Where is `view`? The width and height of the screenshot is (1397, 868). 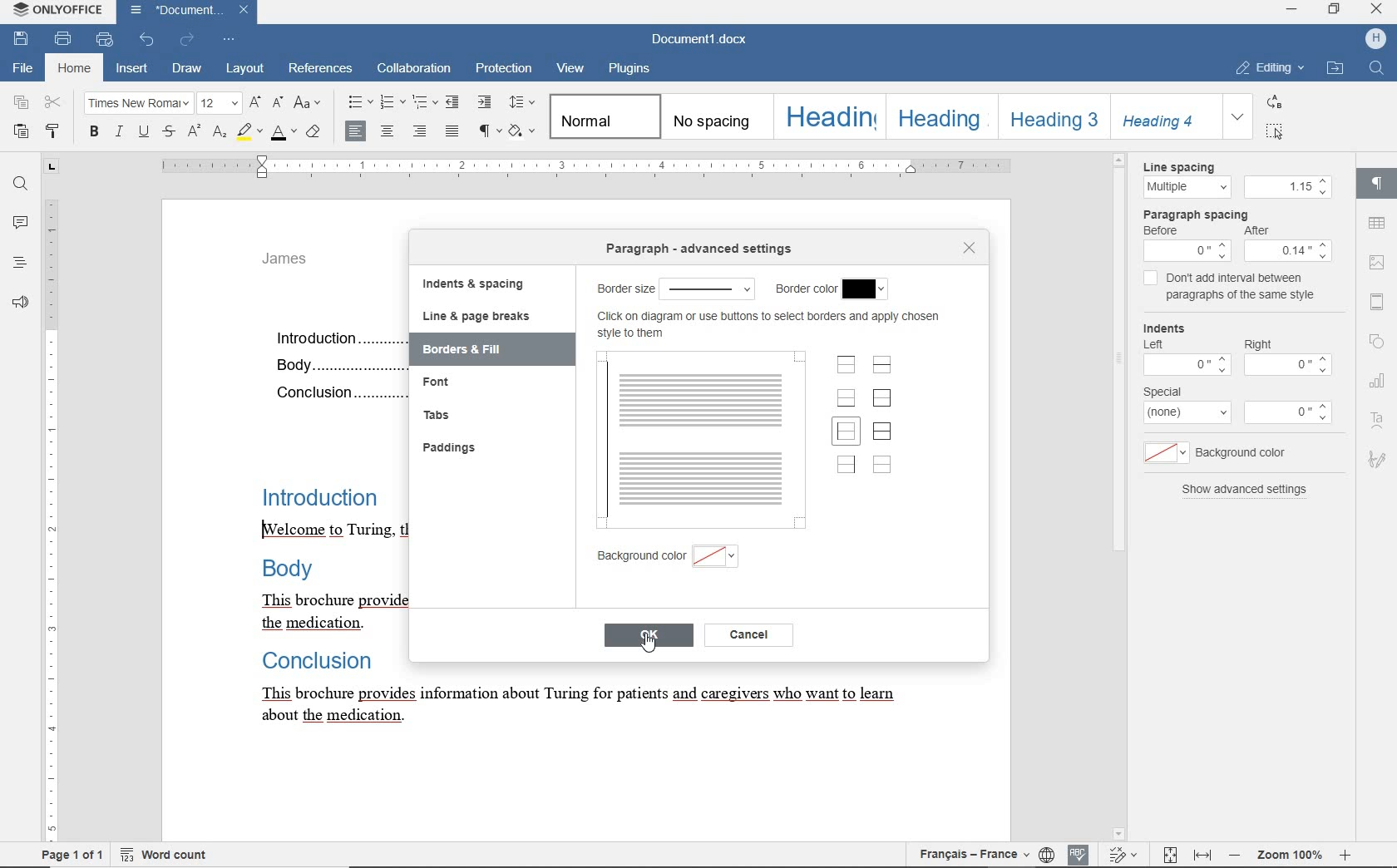
view is located at coordinates (572, 67).